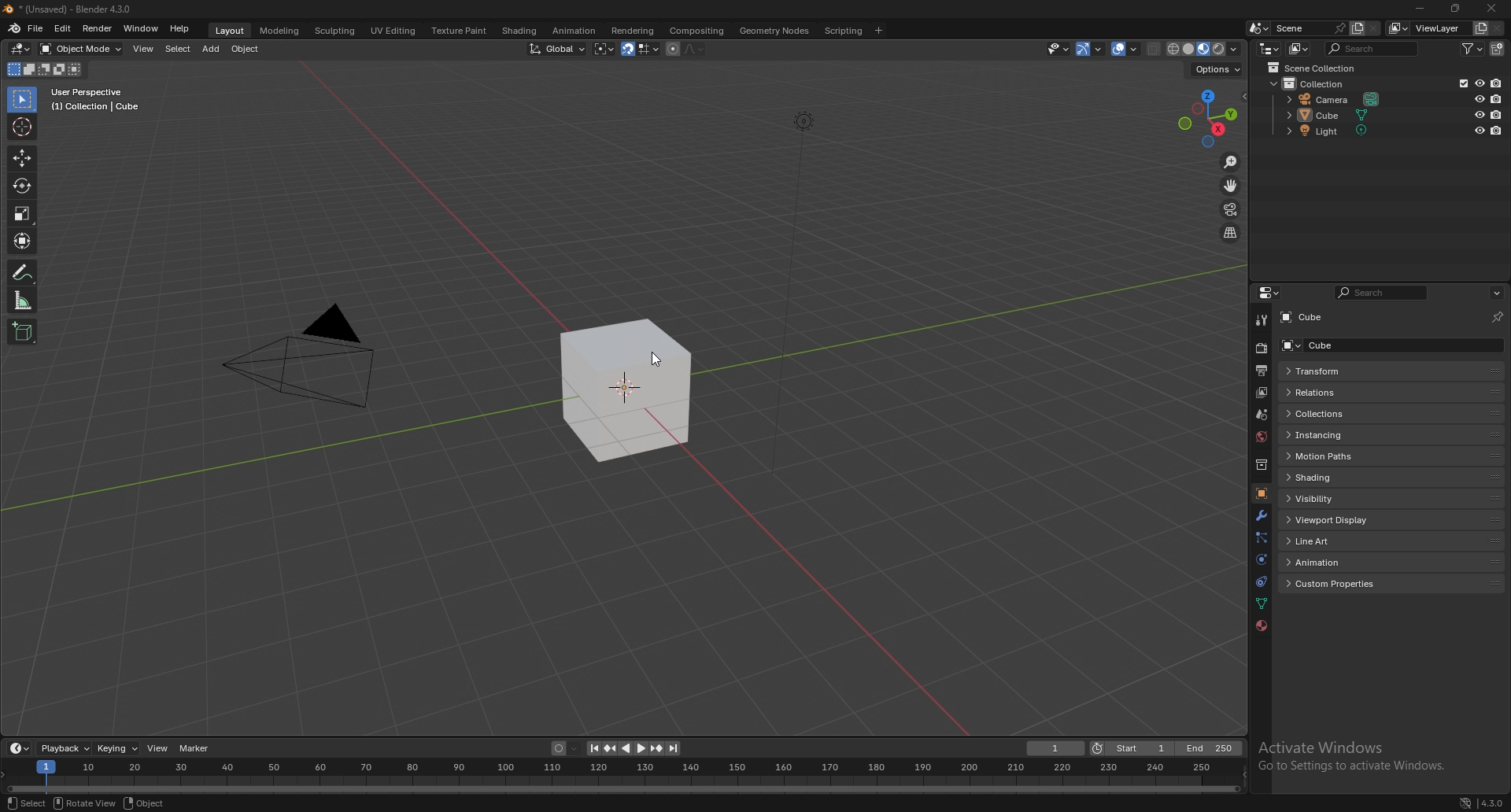 This screenshot has height=812, width=1511. I want to click on transform, so click(24, 241).